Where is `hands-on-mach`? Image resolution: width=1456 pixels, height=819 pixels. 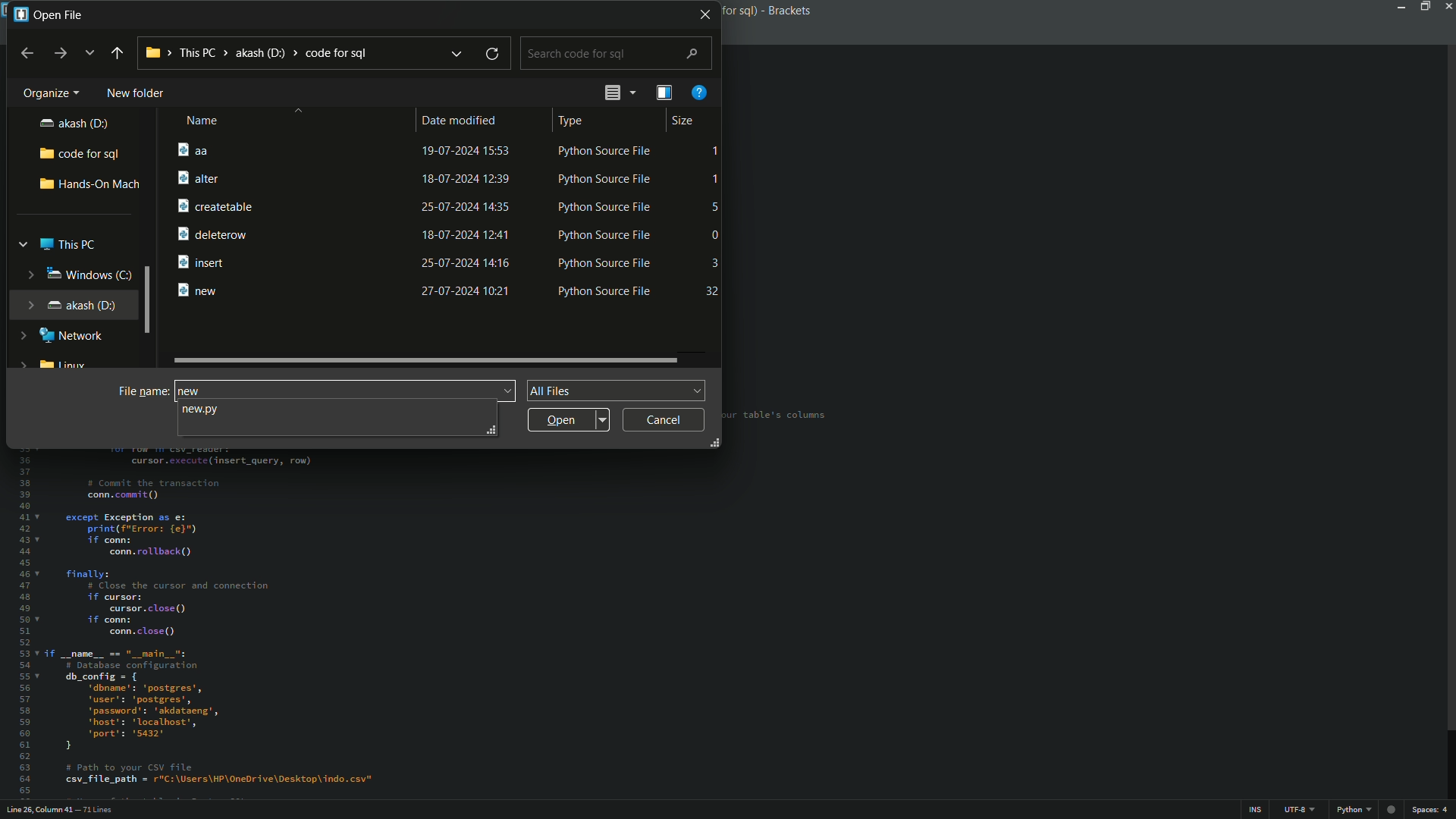 hands-on-mach is located at coordinates (89, 184).